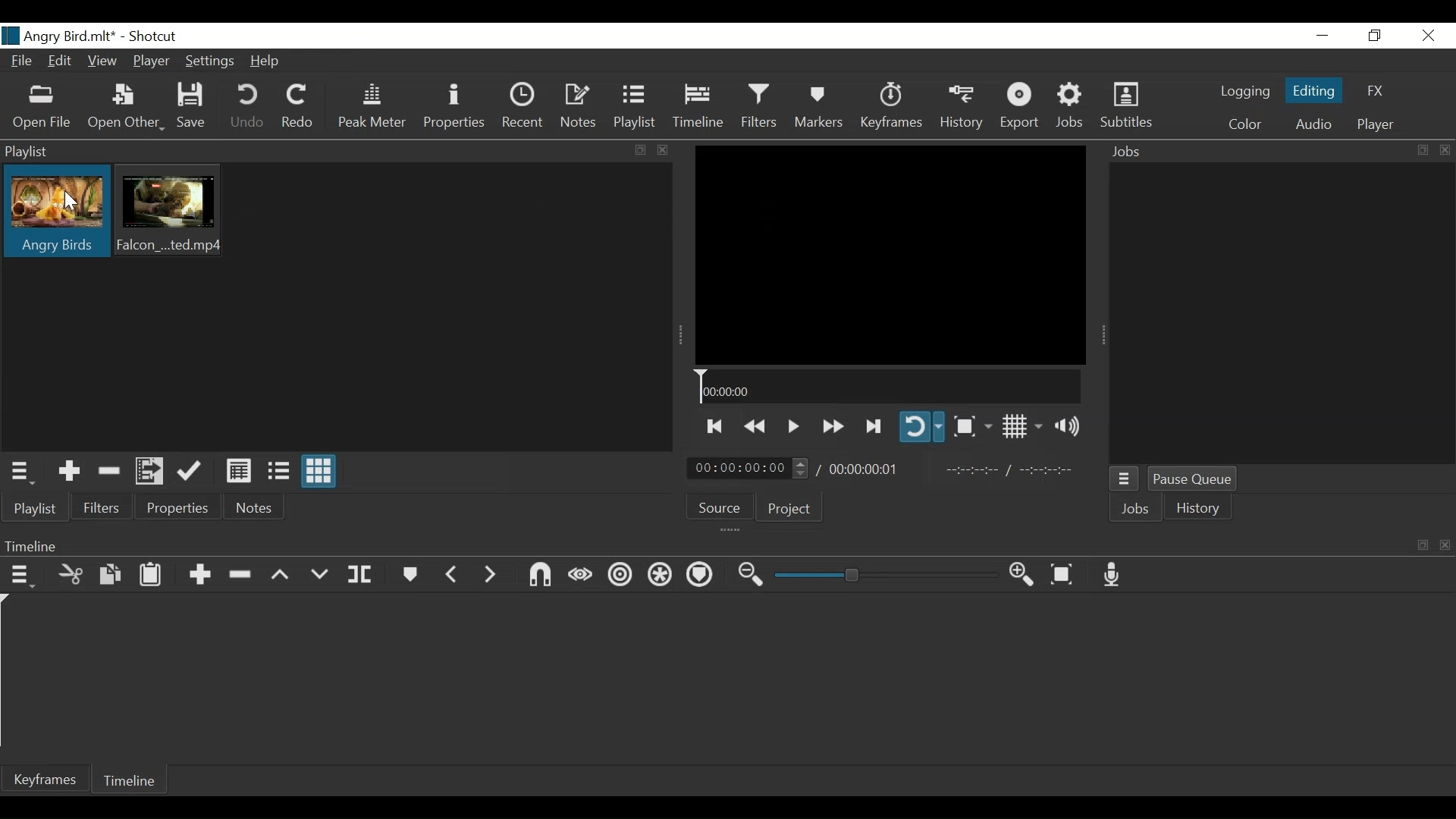 This screenshot has width=1456, height=819. I want to click on Cut, so click(71, 574).